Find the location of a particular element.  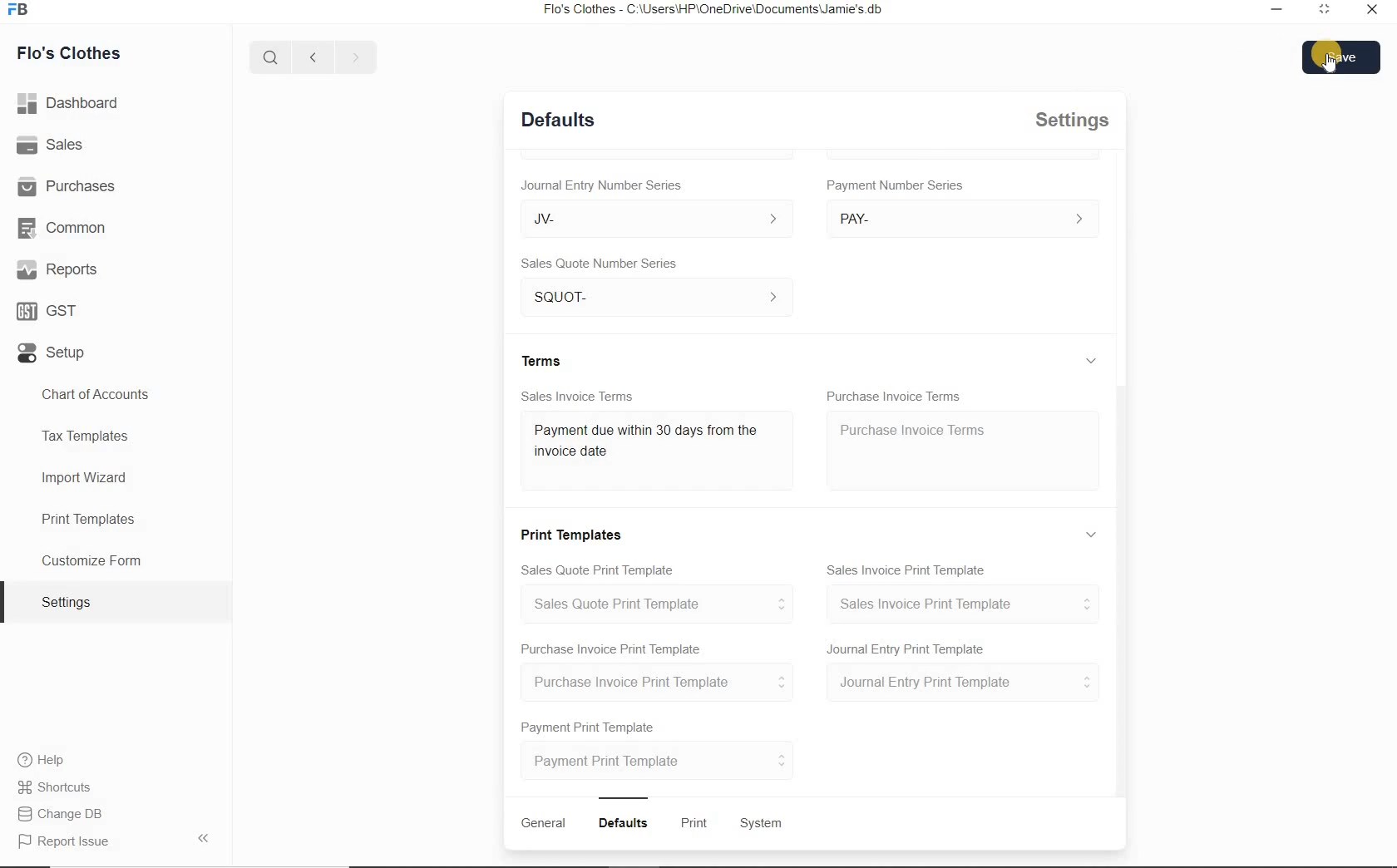

Defaults is located at coordinates (558, 119).